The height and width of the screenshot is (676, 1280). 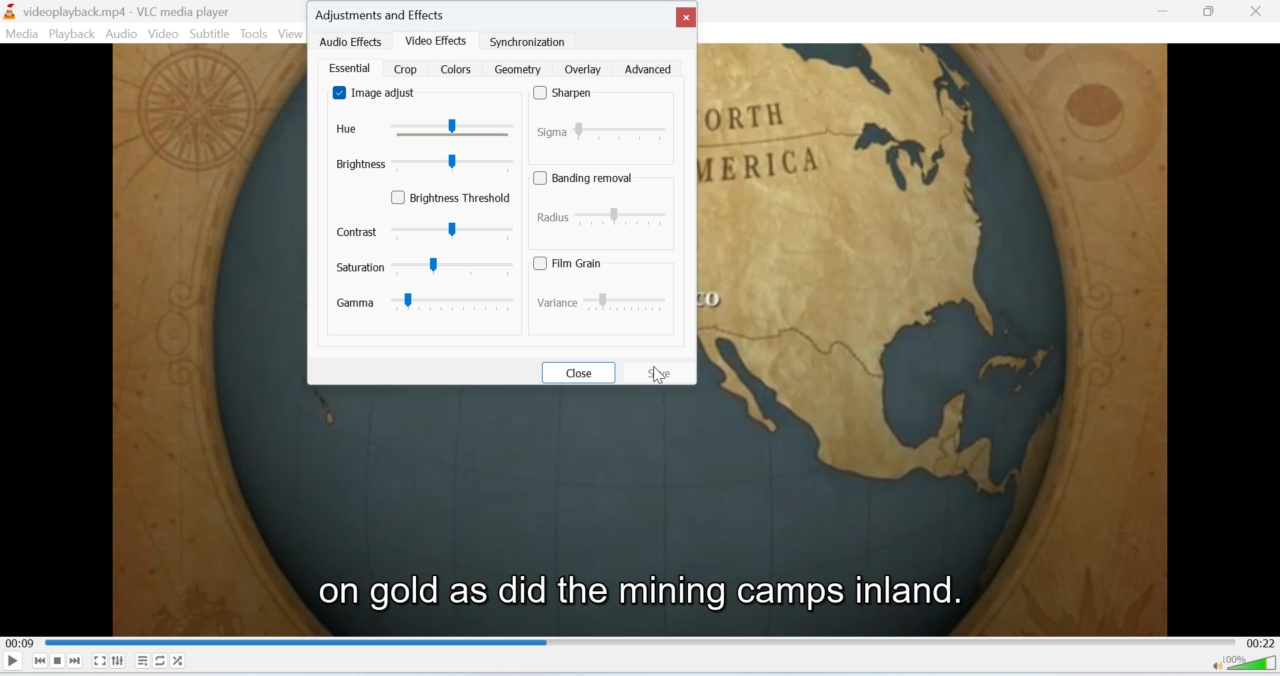 What do you see at coordinates (649, 70) in the screenshot?
I see `advanced` at bounding box center [649, 70].